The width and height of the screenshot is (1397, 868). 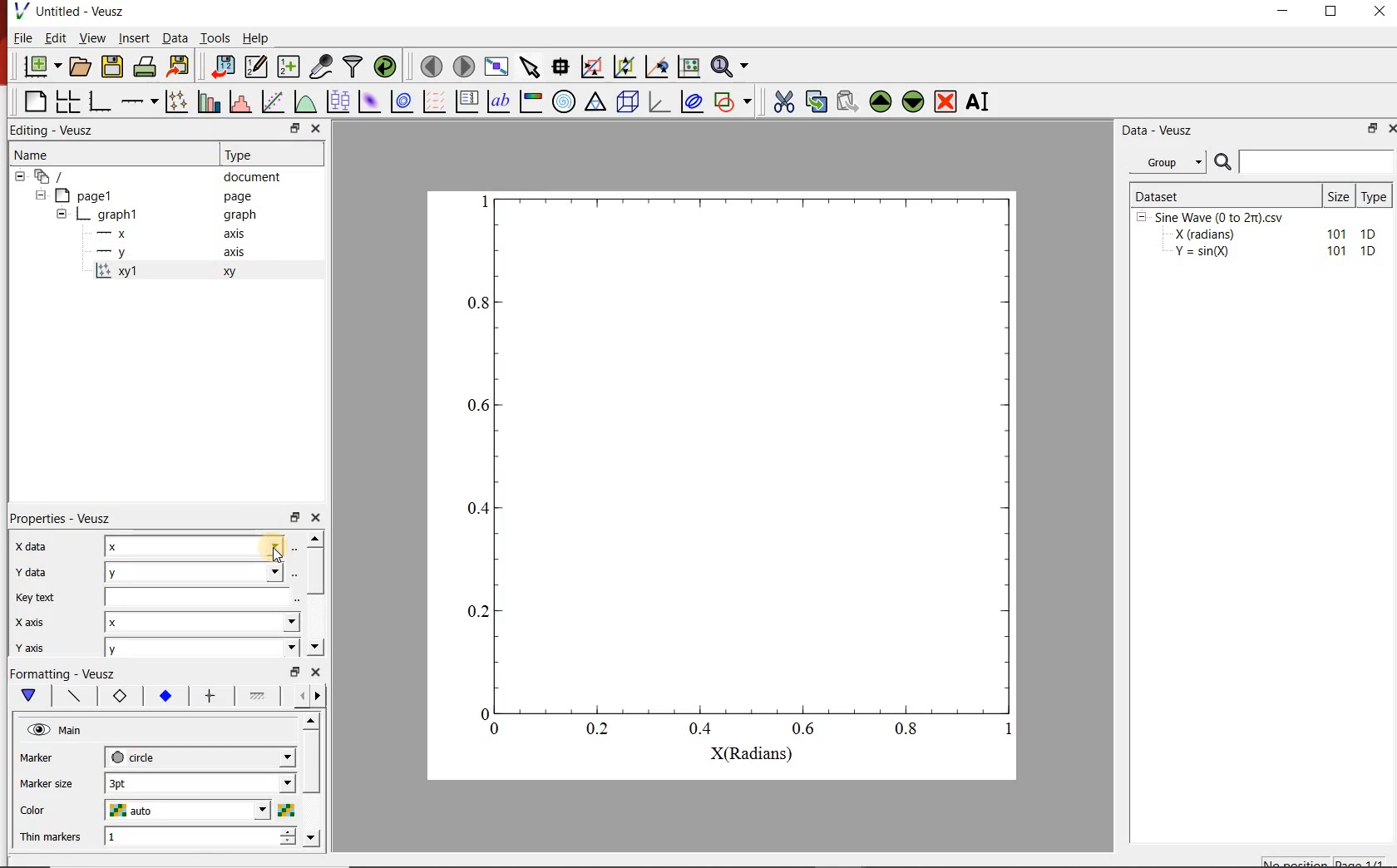 What do you see at coordinates (732, 64) in the screenshot?
I see `zoom functions menu` at bounding box center [732, 64].